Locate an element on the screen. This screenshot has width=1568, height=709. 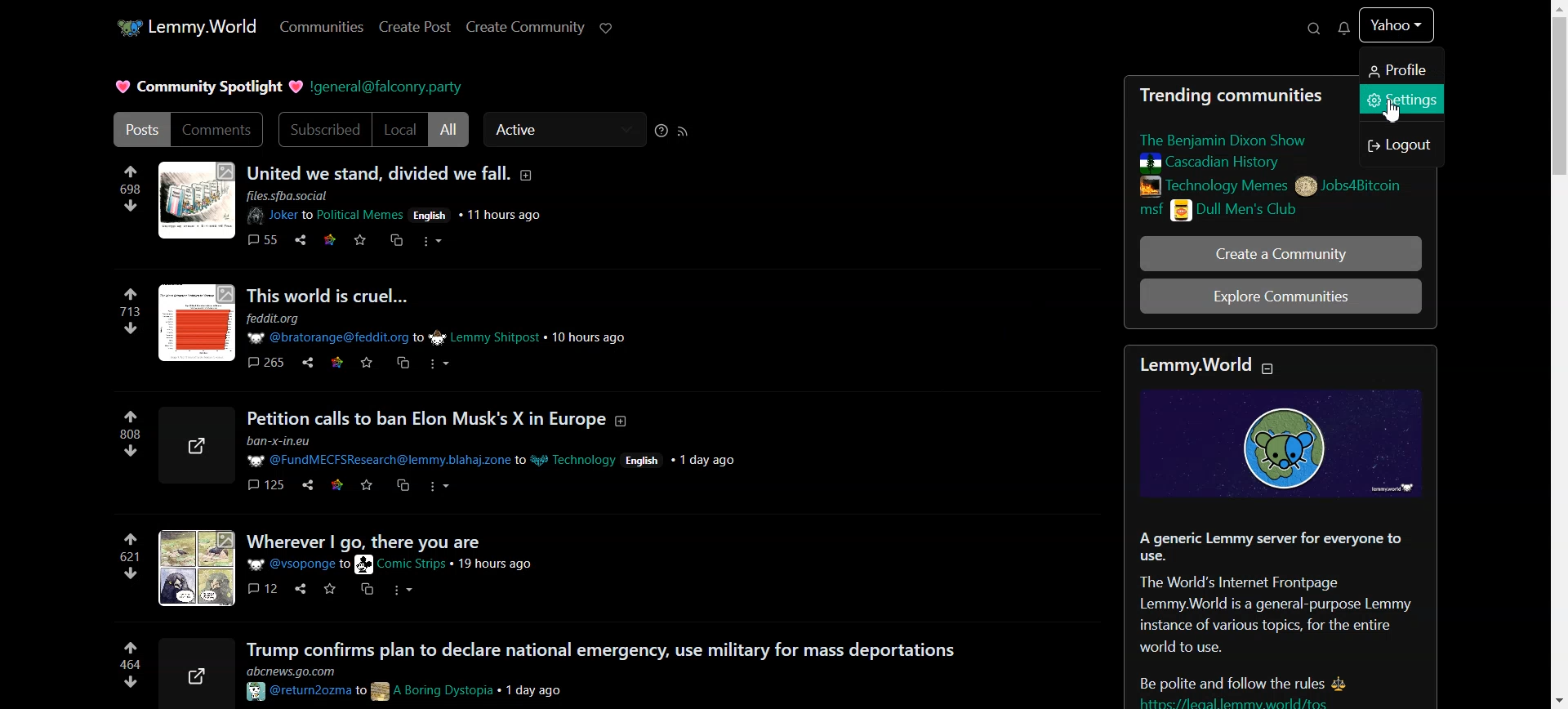
Posts is located at coordinates (1201, 154).